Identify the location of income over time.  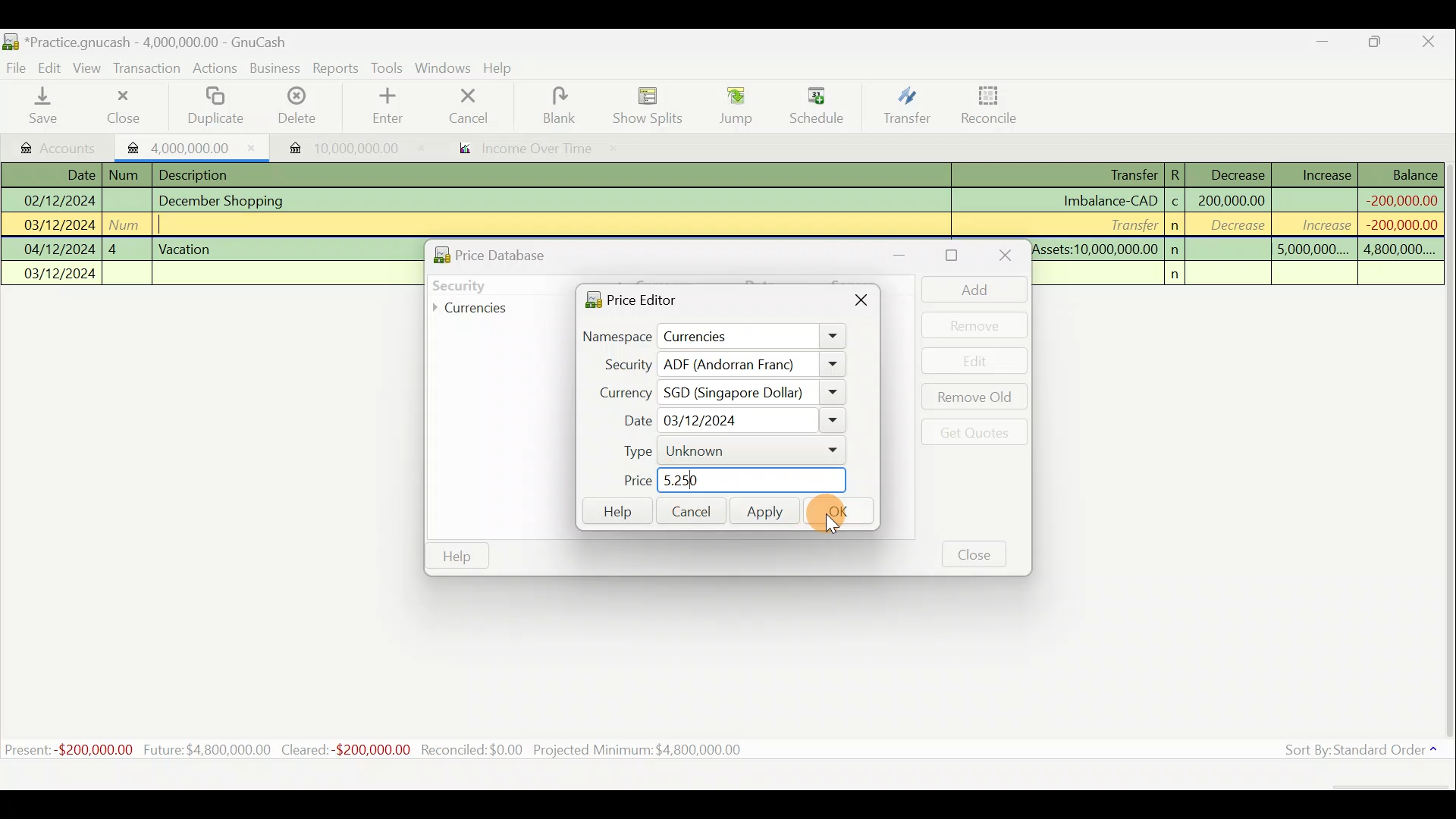
(536, 149).